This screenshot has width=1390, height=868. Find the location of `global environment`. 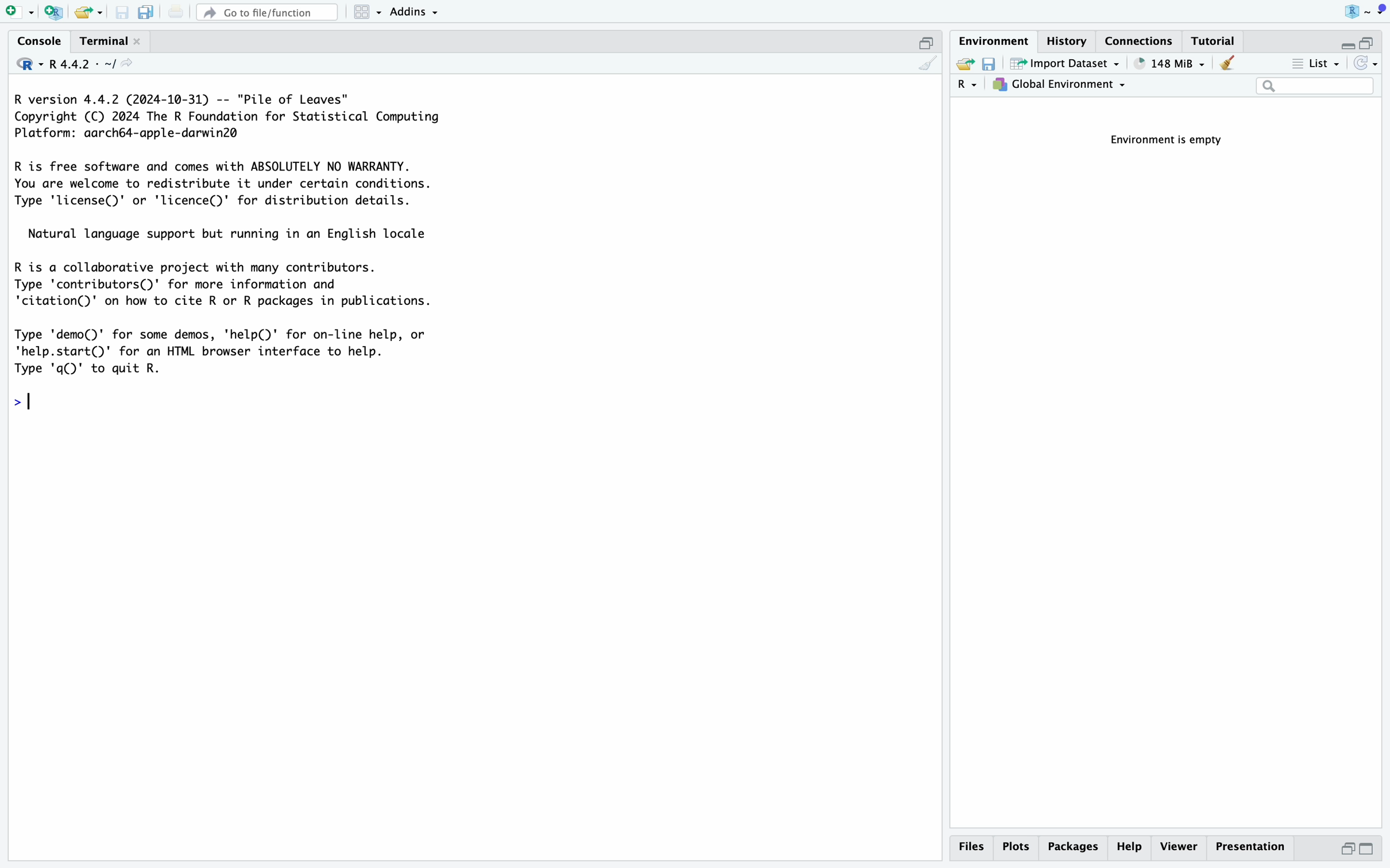

global environment is located at coordinates (1062, 87).